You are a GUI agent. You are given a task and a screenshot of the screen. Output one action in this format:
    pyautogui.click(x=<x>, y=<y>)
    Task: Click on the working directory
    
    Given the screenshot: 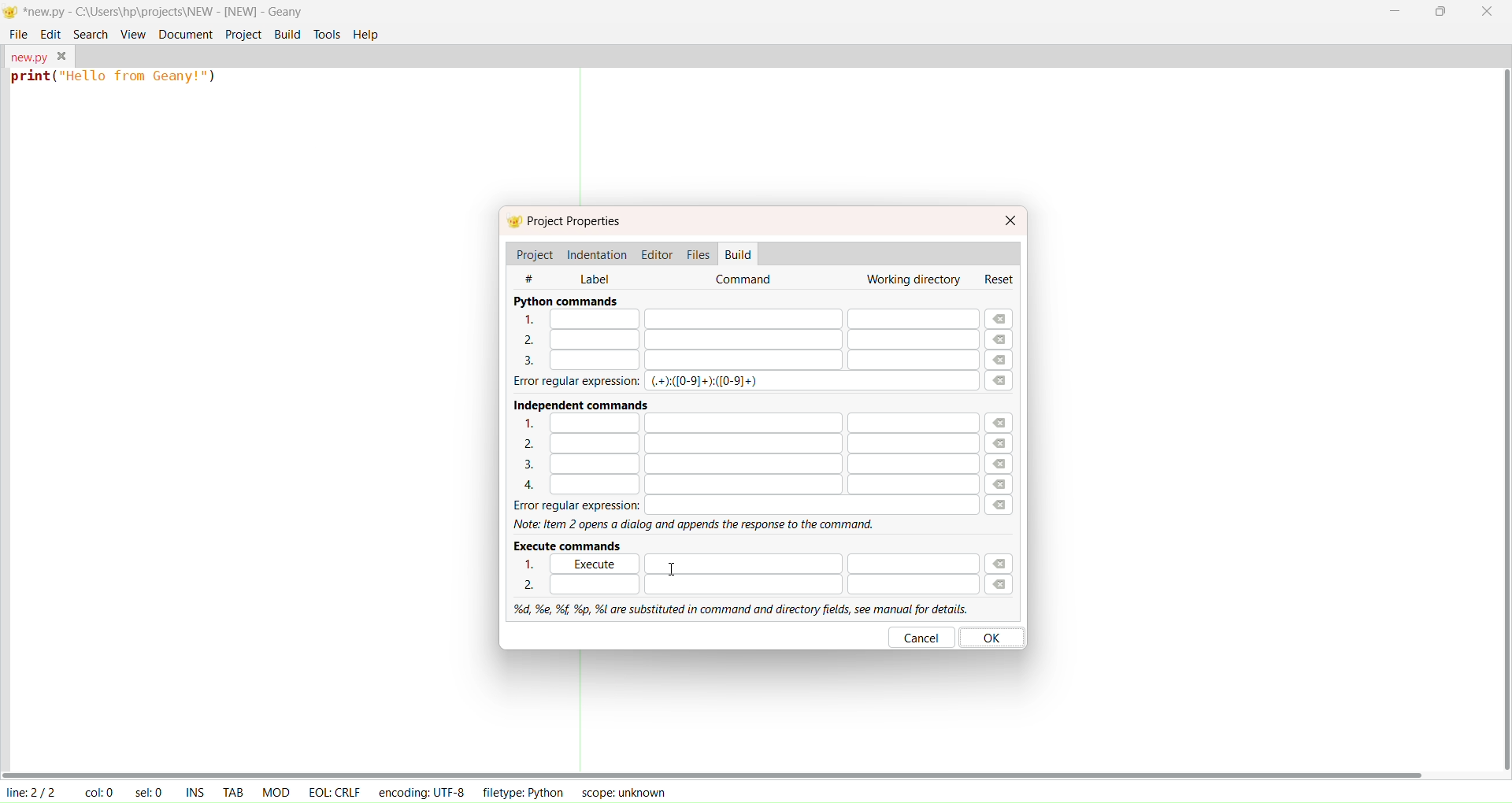 What is the action you would take?
    pyautogui.click(x=911, y=280)
    